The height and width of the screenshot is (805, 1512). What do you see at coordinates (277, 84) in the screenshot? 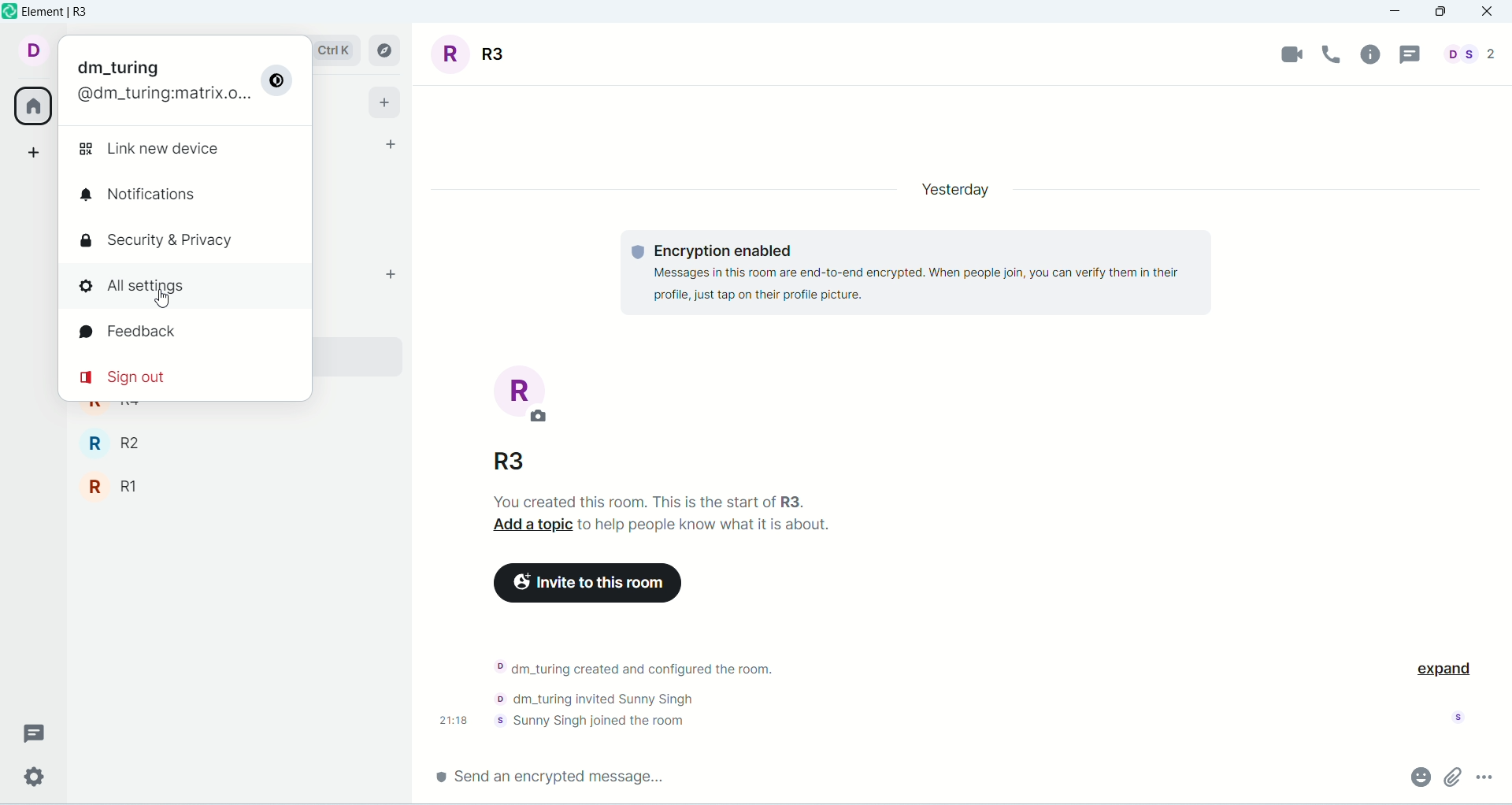
I see `mode` at bounding box center [277, 84].